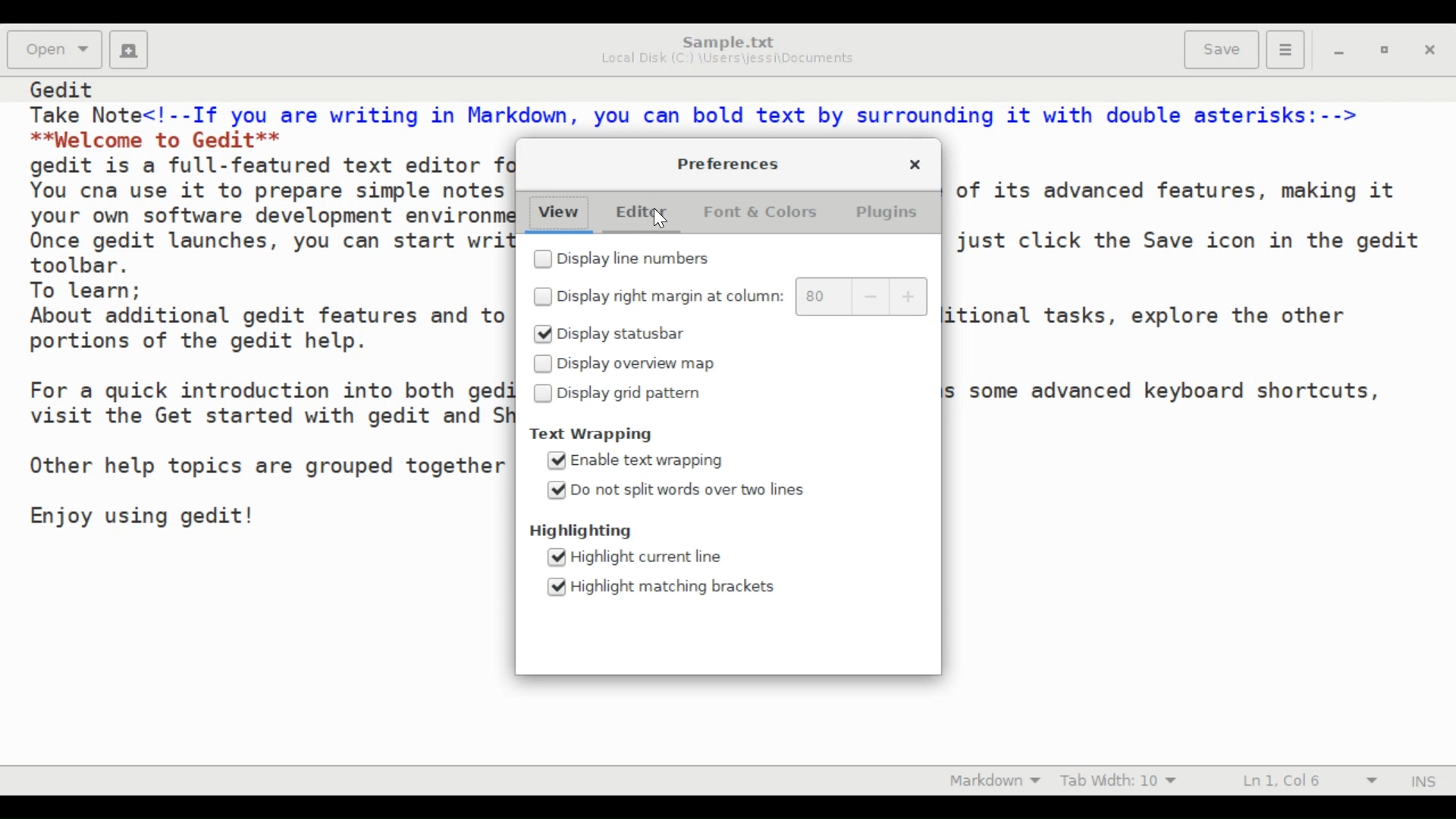 The height and width of the screenshot is (819, 1456). Describe the element at coordinates (874, 296) in the screenshot. I see `decrease margin` at that location.